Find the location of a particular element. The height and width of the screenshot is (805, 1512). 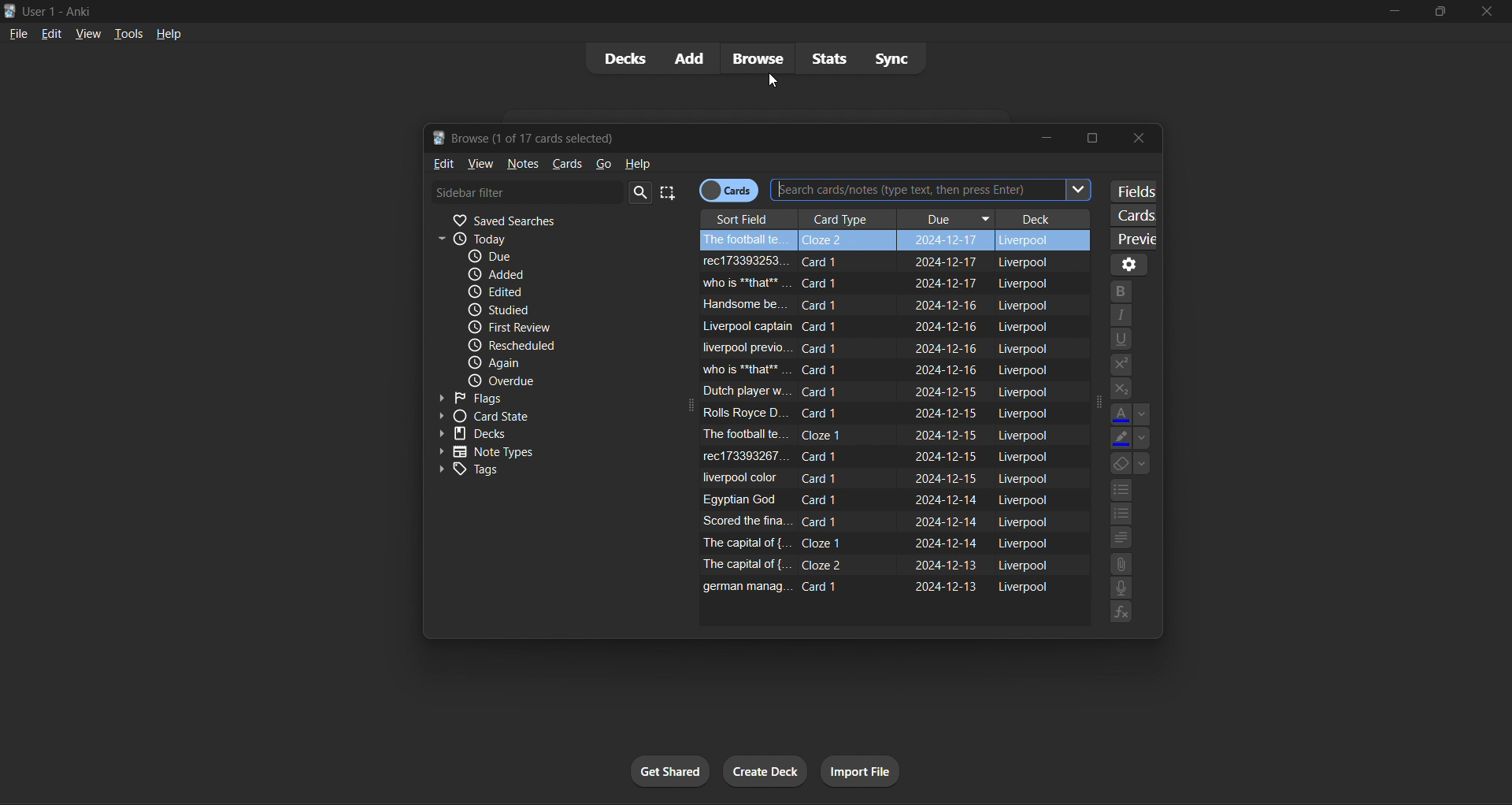

sync is located at coordinates (896, 57).